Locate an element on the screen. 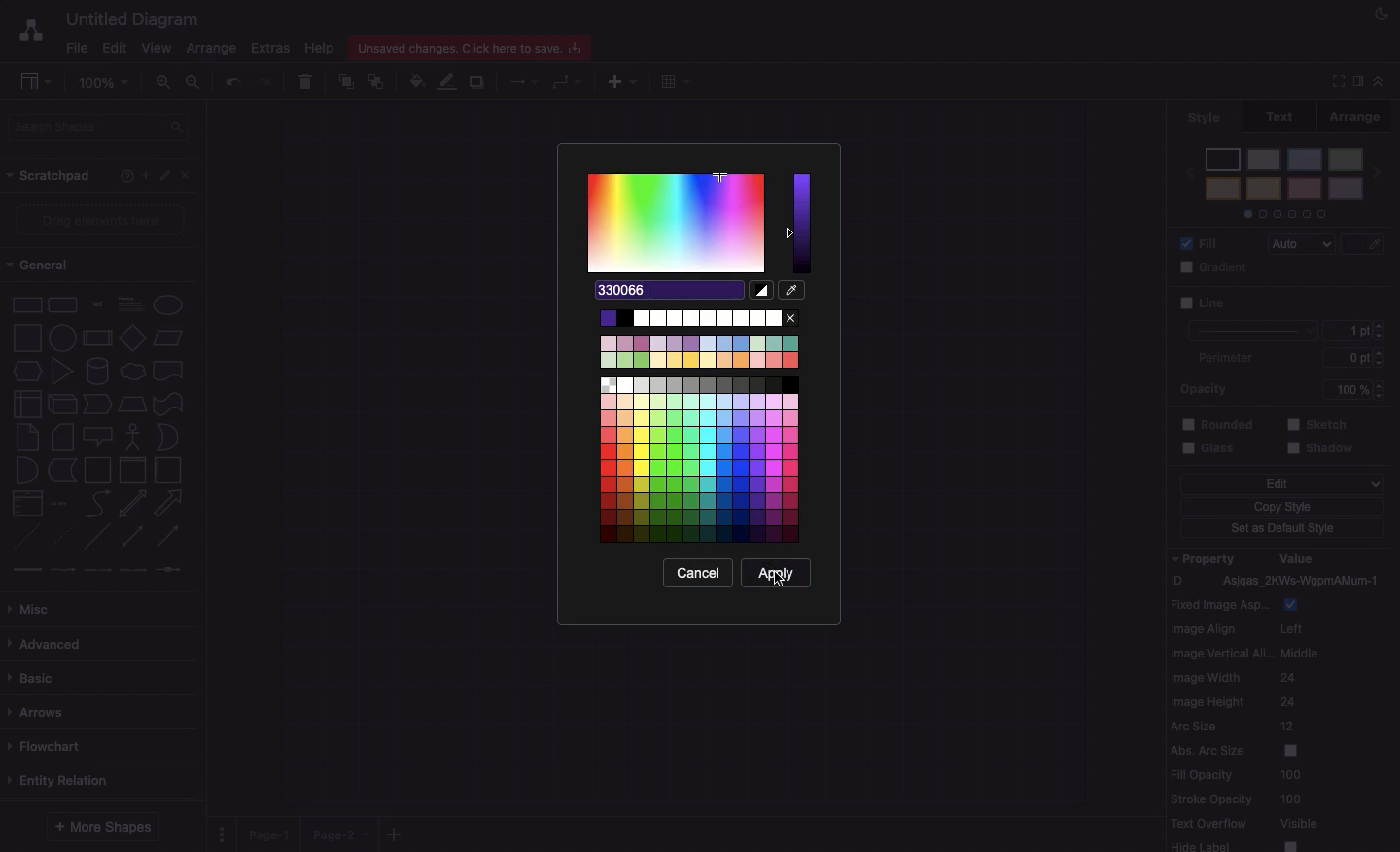  line is located at coordinates (97, 536).